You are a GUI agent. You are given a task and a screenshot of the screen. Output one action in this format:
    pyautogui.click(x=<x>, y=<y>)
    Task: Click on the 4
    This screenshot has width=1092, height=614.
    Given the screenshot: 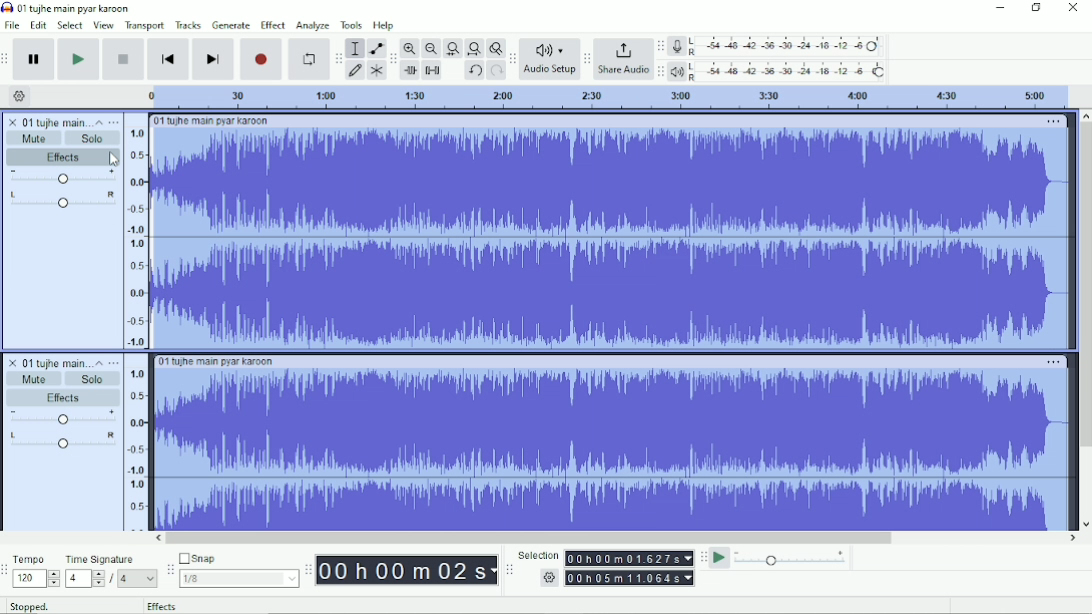 What is the action you would take?
    pyautogui.click(x=85, y=579)
    